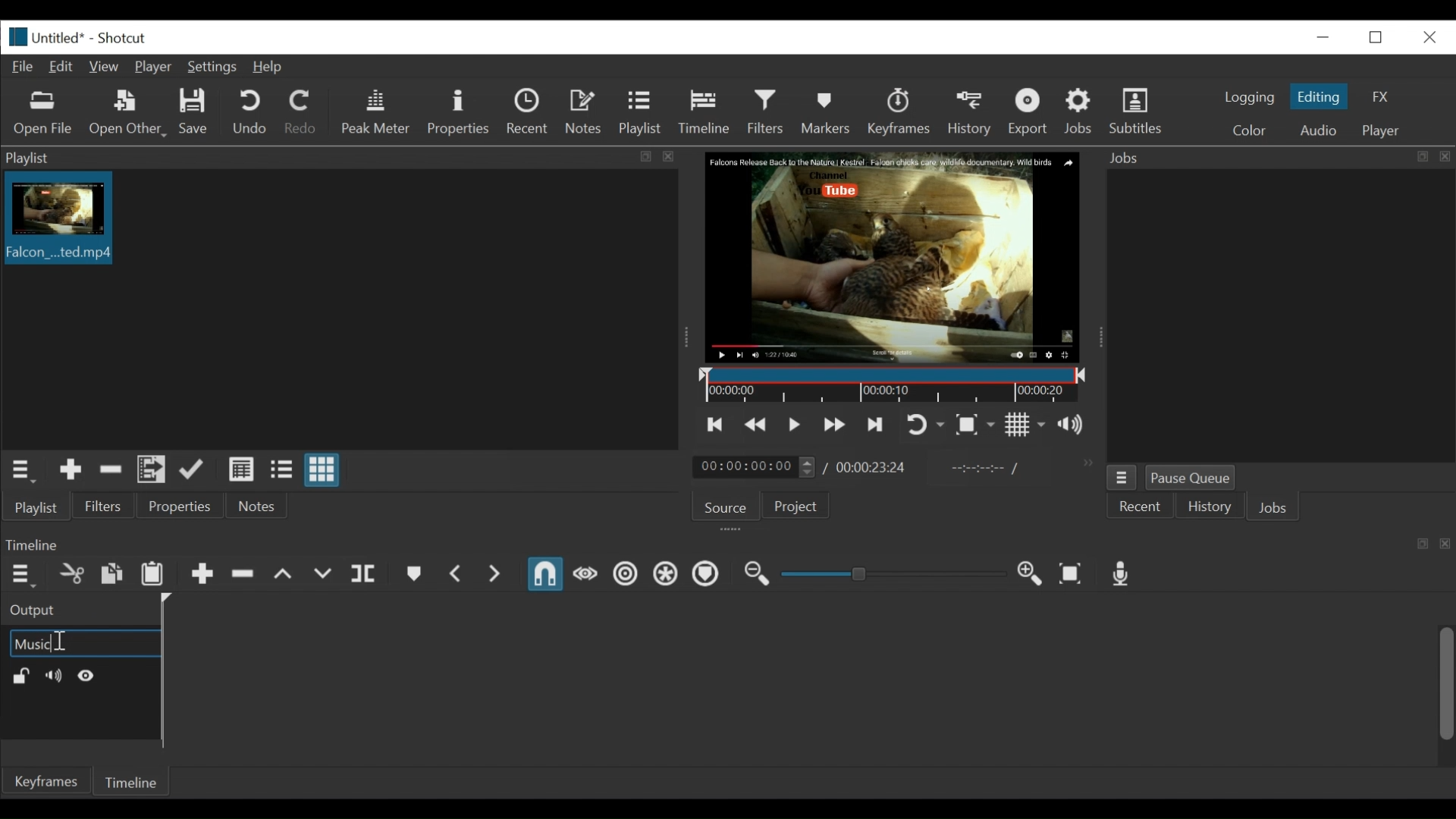 This screenshot has height=819, width=1456. What do you see at coordinates (1072, 423) in the screenshot?
I see `Show the volume control` at bounding box center [1072, 423].